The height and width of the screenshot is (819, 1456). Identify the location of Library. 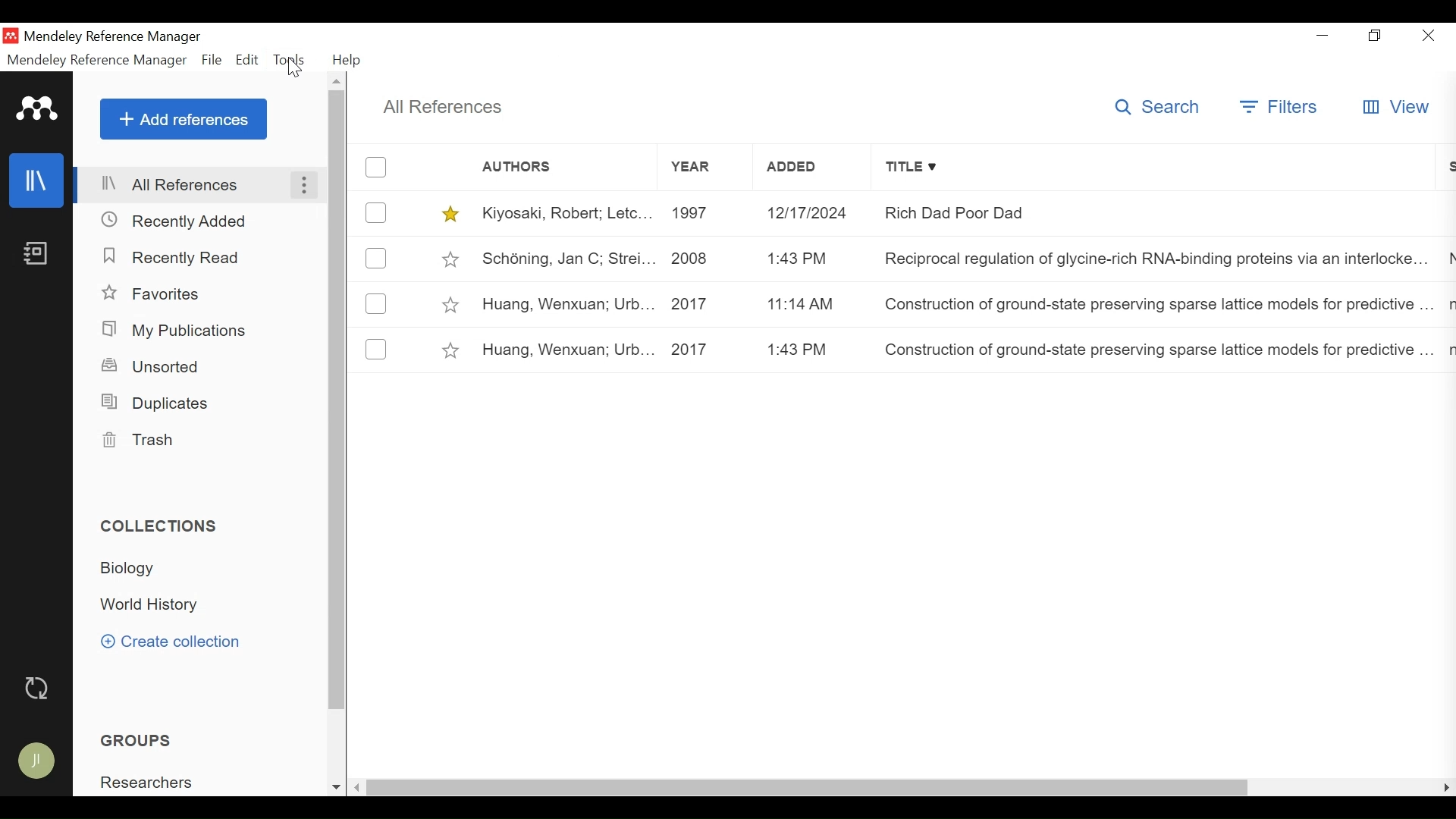
(37, 180).